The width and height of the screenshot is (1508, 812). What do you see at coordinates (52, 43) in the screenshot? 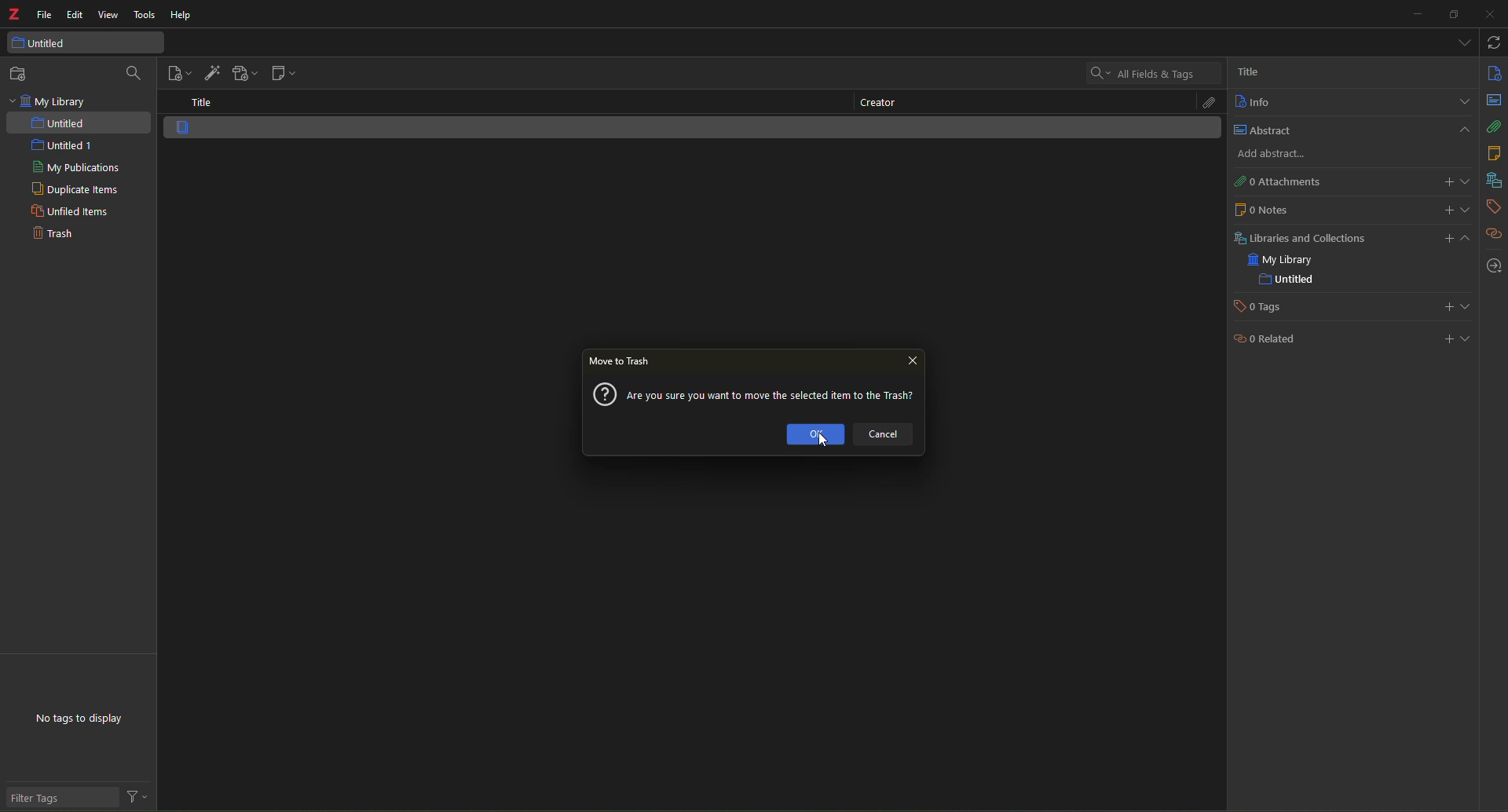
I see `untitled` at bounding box center [52, 43].